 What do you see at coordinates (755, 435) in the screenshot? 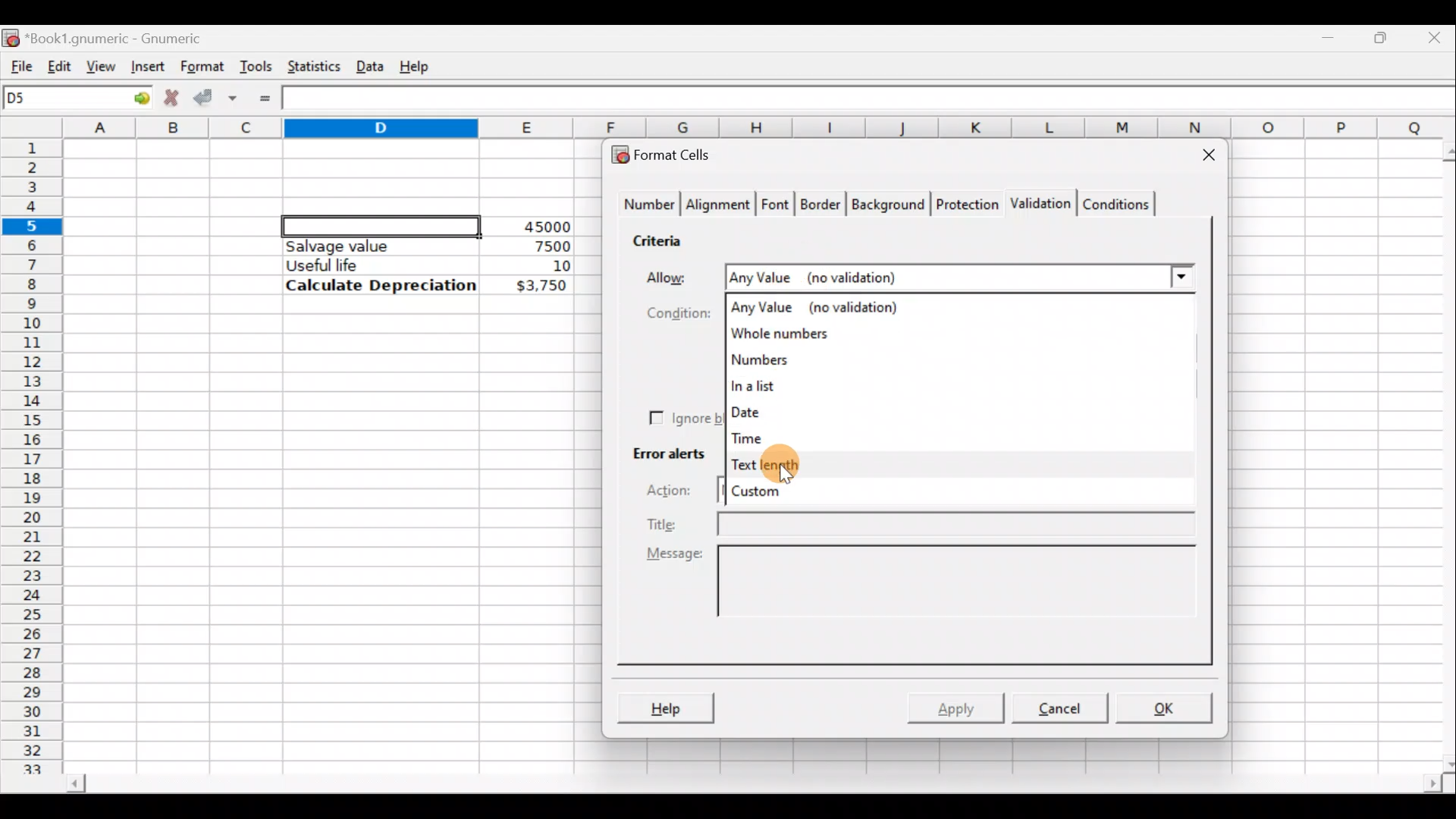
I see `Time` at bounding box center [755, 435].